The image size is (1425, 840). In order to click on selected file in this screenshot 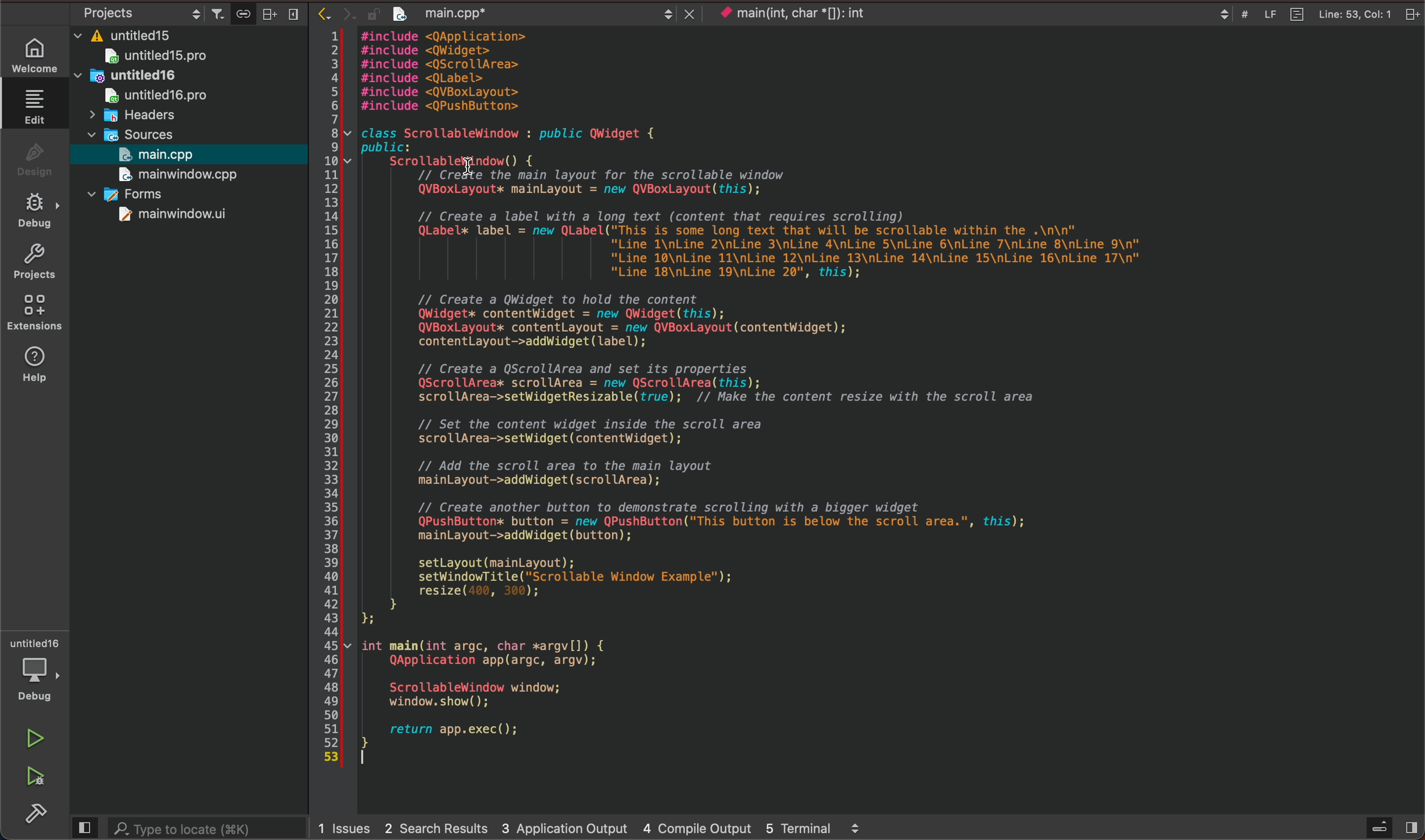, I will do `click(186, 155)`.